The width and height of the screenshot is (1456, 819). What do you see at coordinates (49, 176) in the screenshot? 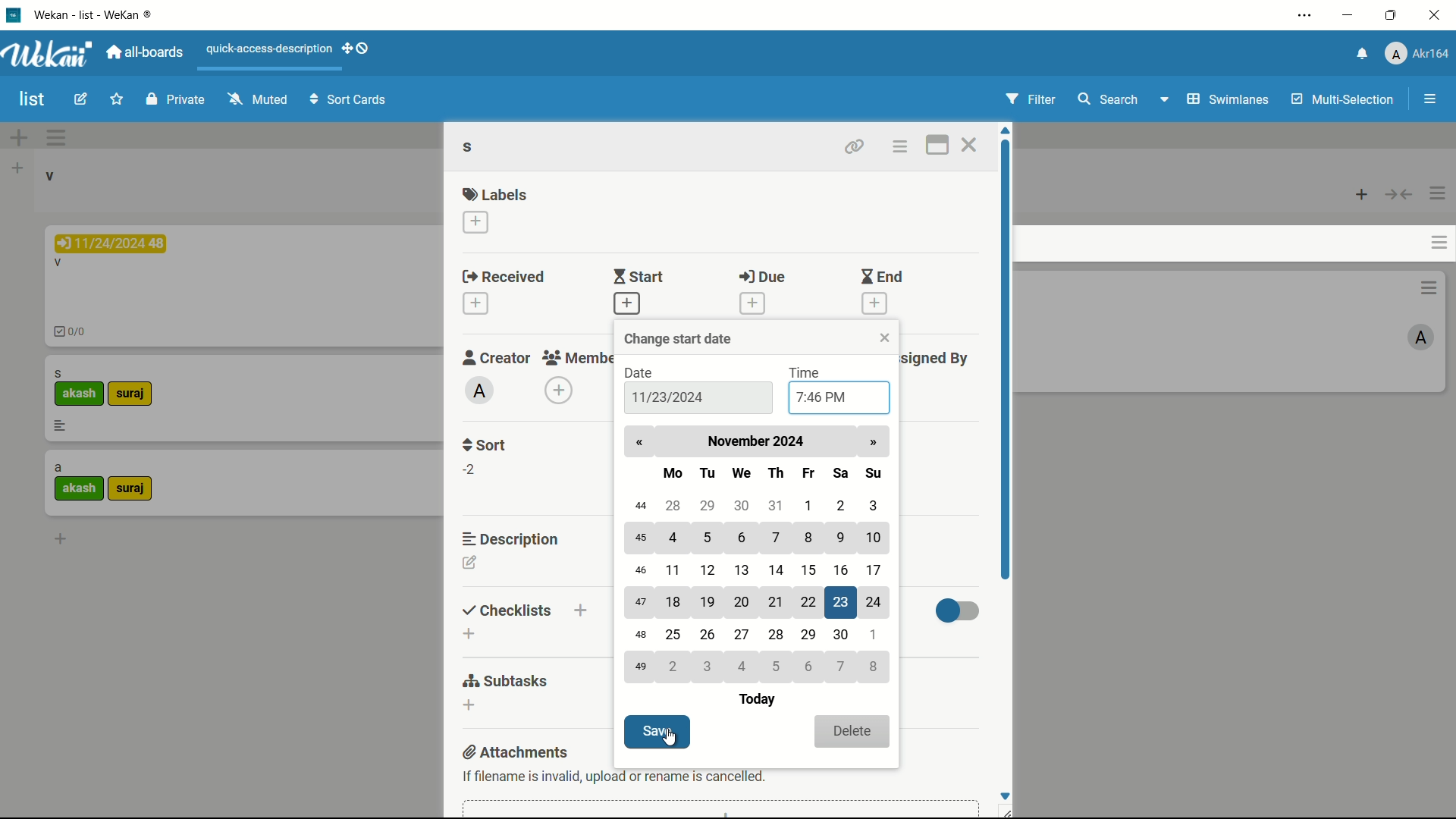
I see `list name` at bounding box center [49, 176].